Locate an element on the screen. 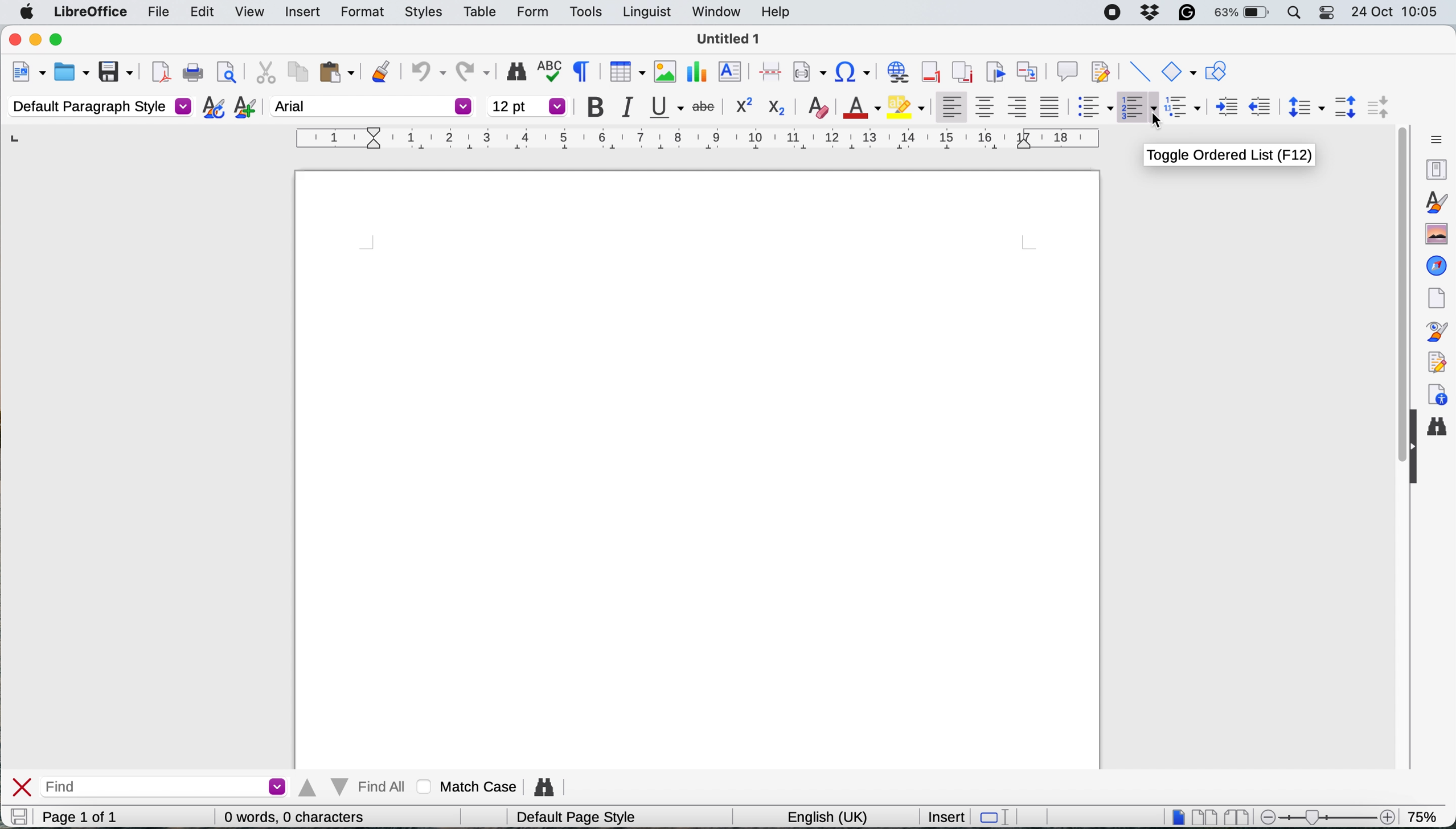 This screenshot has height=829, width=1456. sidebar settings is located at coordinates (1434, 137).